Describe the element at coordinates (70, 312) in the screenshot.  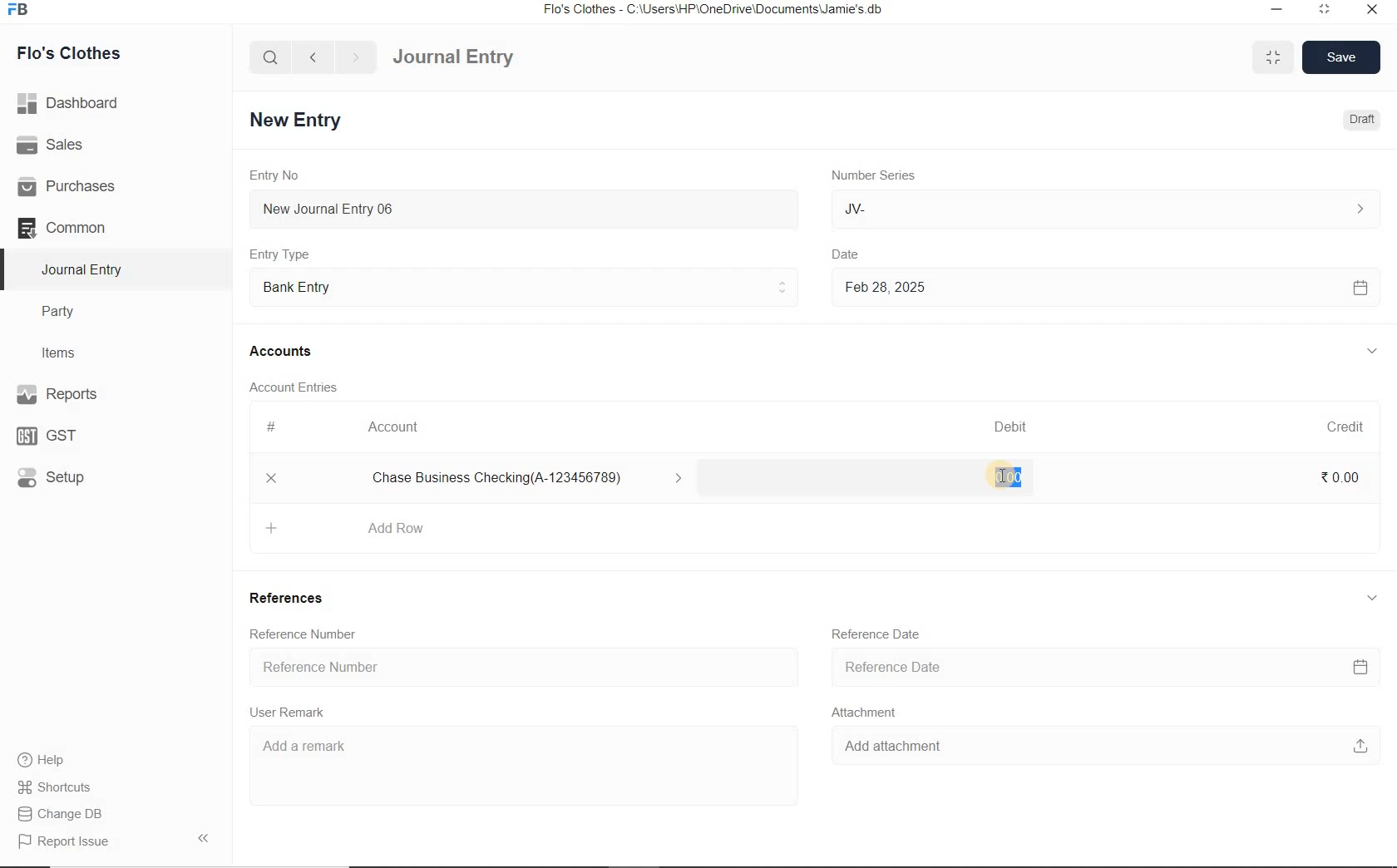
I see `Party` at that location.